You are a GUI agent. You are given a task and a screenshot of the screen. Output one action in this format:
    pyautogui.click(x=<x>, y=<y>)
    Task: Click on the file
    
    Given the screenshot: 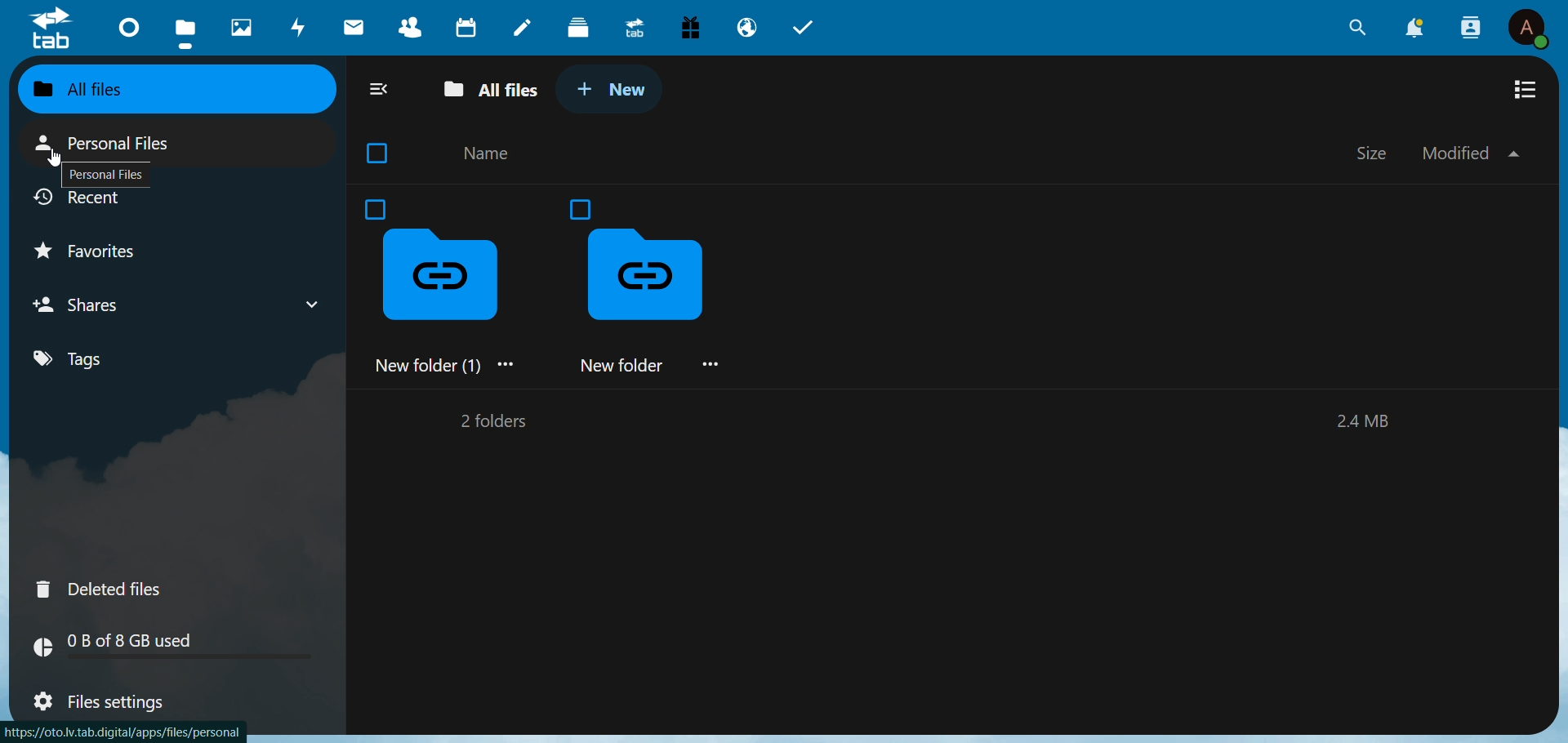 What is the action you would take?
    pyautogui.click(x=185, y=31)
    